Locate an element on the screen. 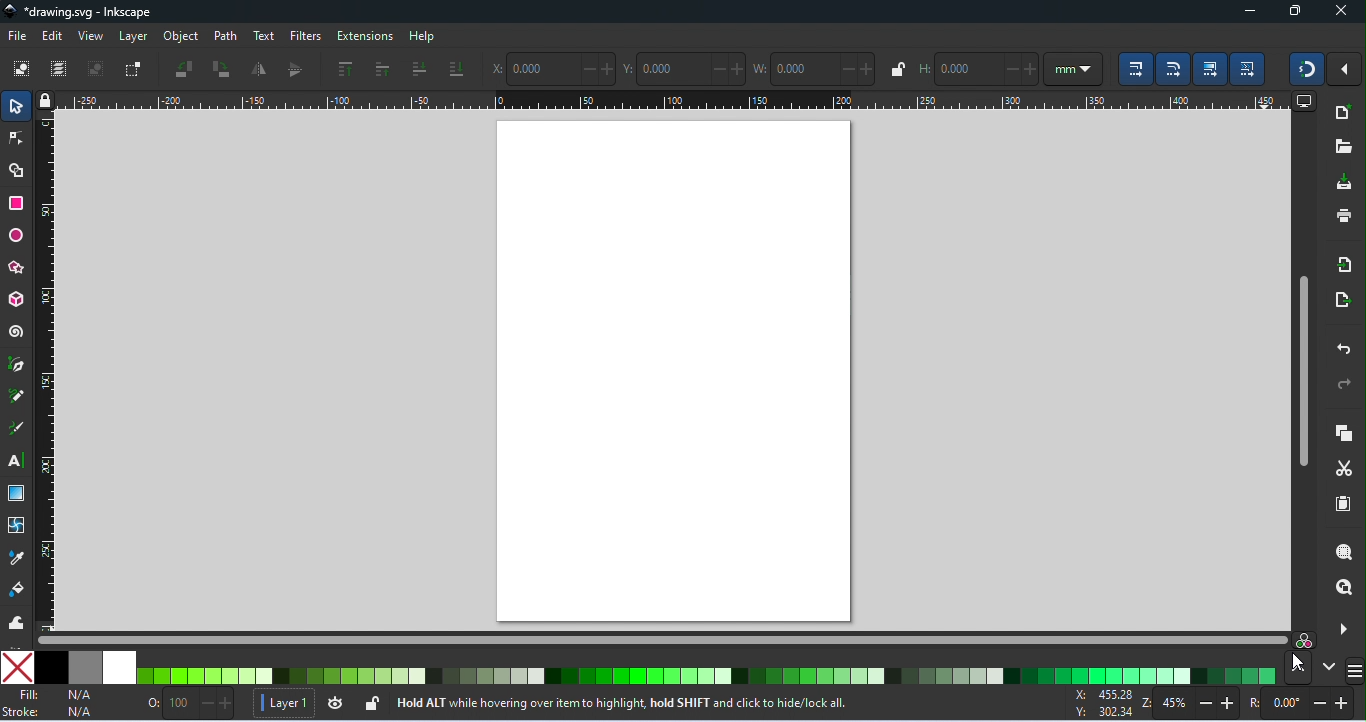  cut is located at coordinates (1346, 467).